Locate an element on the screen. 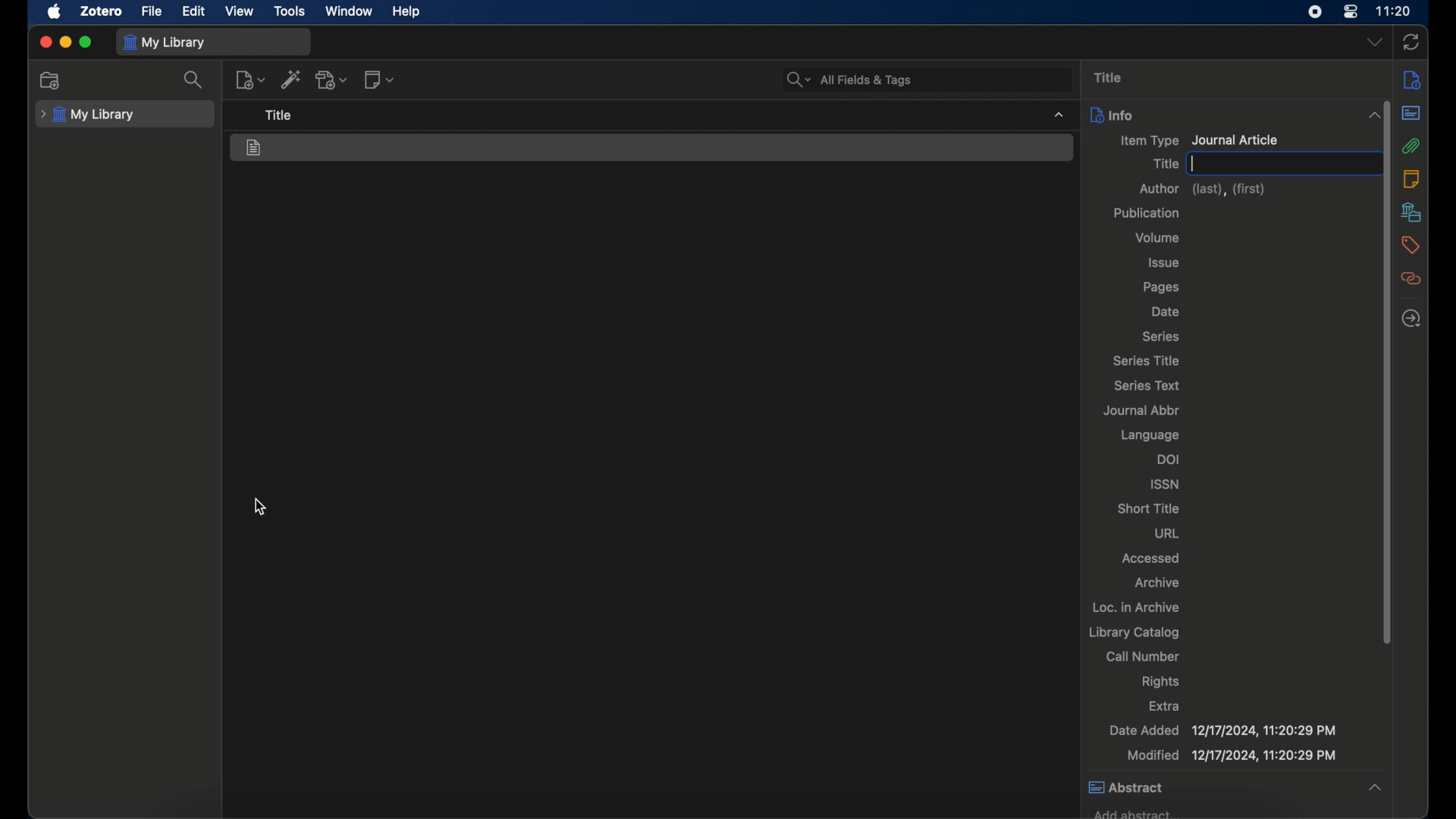 Image resolution: width=1456 pixels, height=819 pixels. date added is located at coordinates (1223, 730).